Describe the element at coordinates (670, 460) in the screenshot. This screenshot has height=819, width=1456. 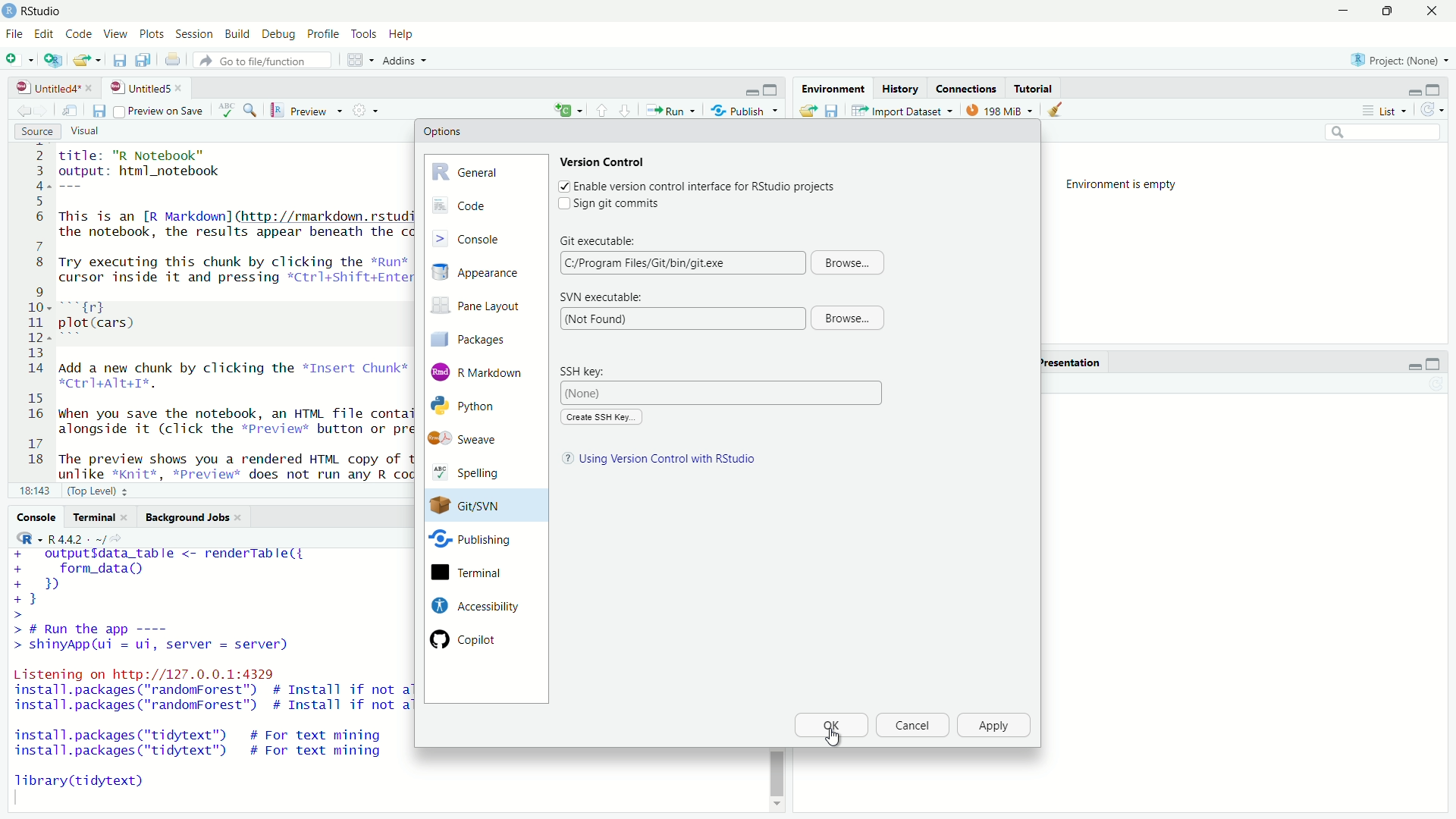
I see `using Version Control with RStudio` at that location.